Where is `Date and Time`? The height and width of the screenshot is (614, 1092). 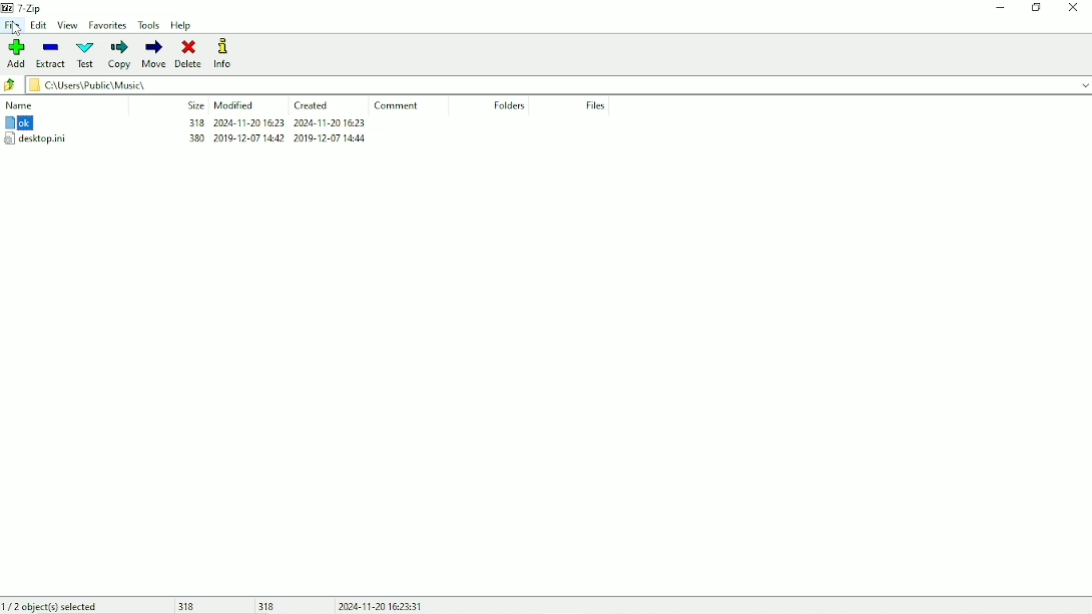
Date and Time is located at coordinates (384, 605).